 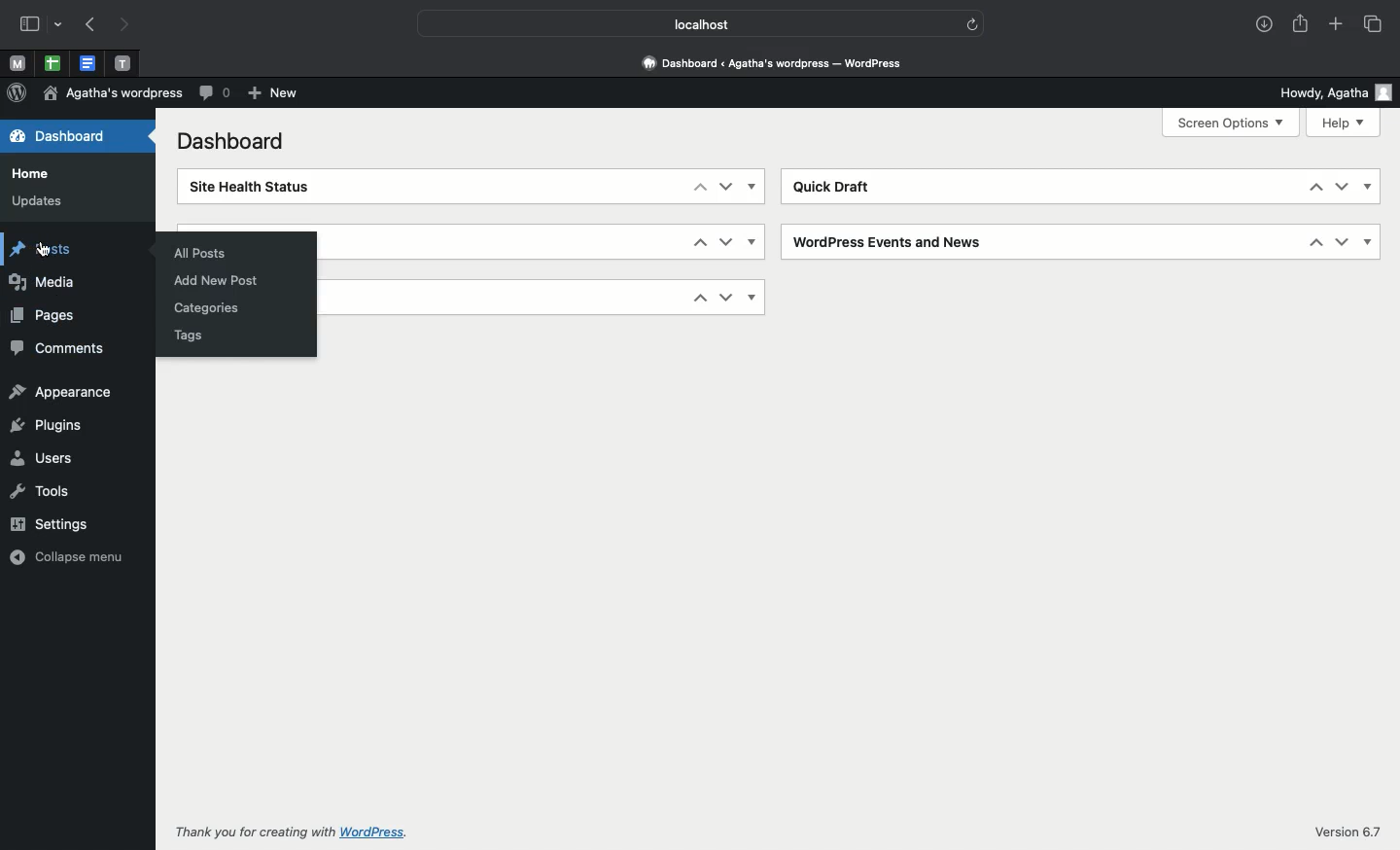 I want to click on Tools, so click(x=40, y=489).